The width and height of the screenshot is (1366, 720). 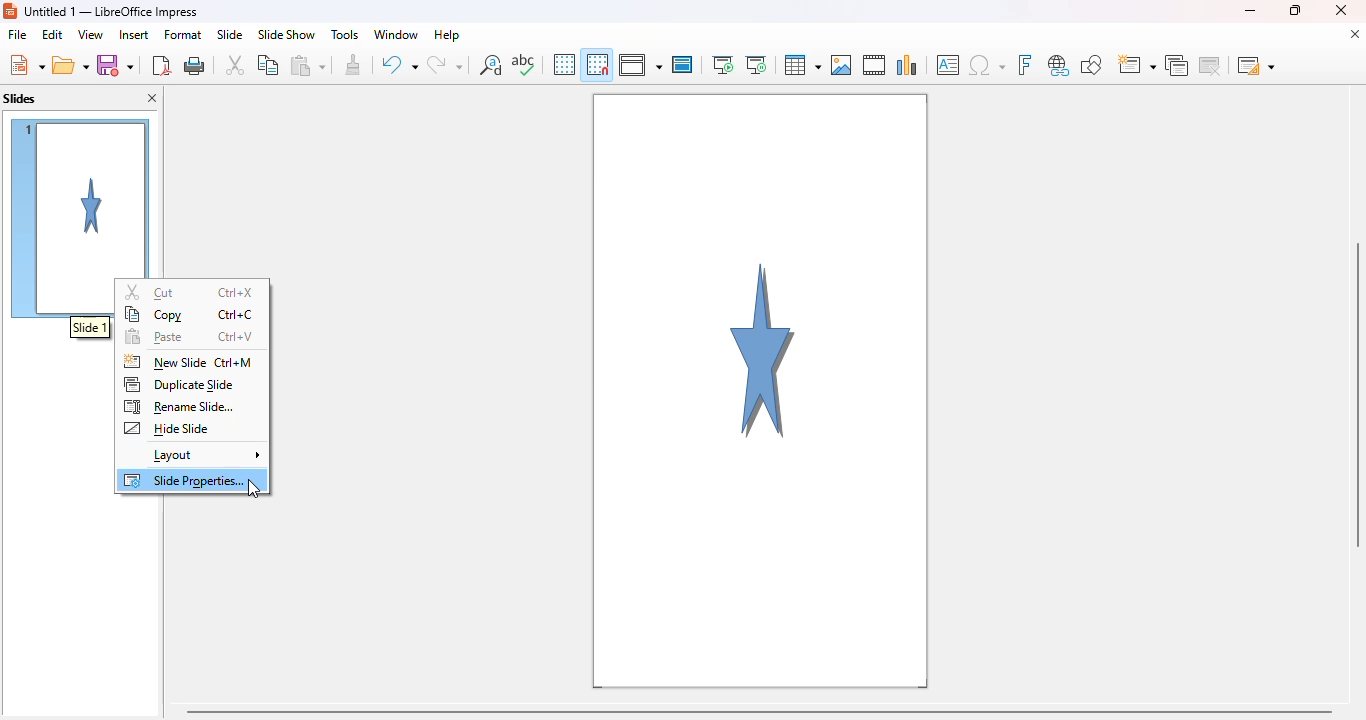 I want to click on start from current slide, so click(x=756, y=65).